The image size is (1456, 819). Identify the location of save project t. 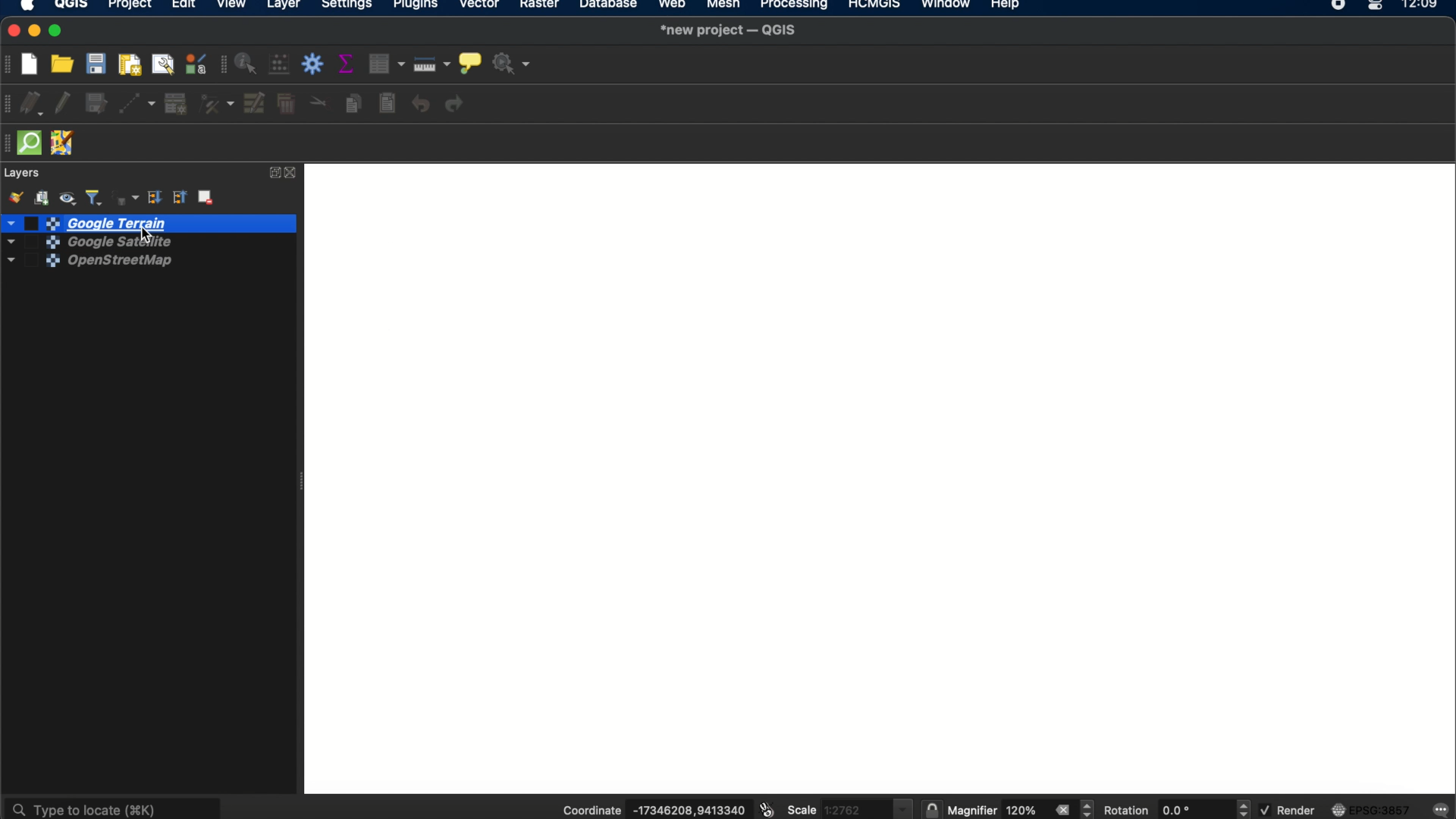
(97, 64).